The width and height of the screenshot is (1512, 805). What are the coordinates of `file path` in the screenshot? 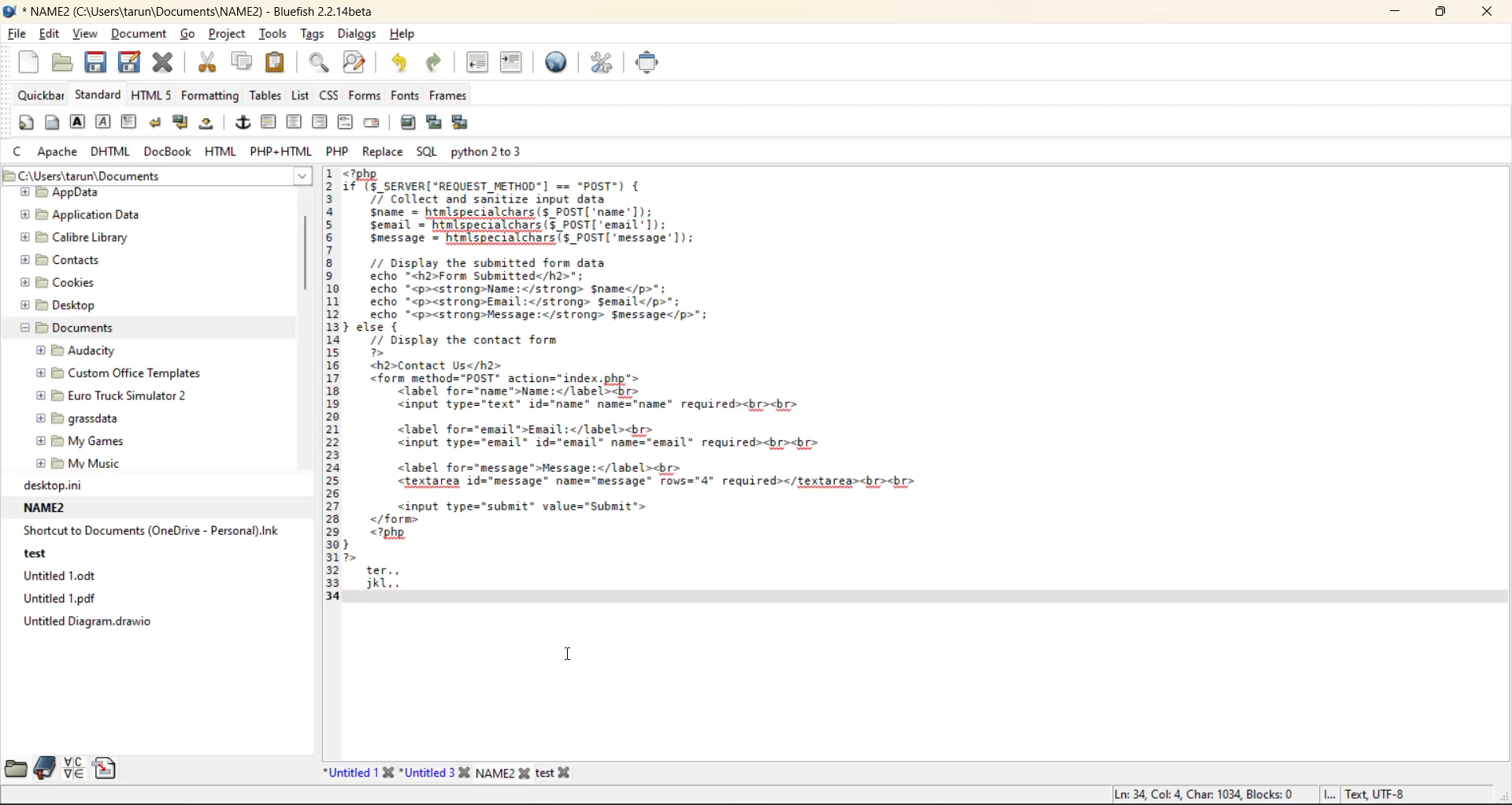 It's located at (155, 174).